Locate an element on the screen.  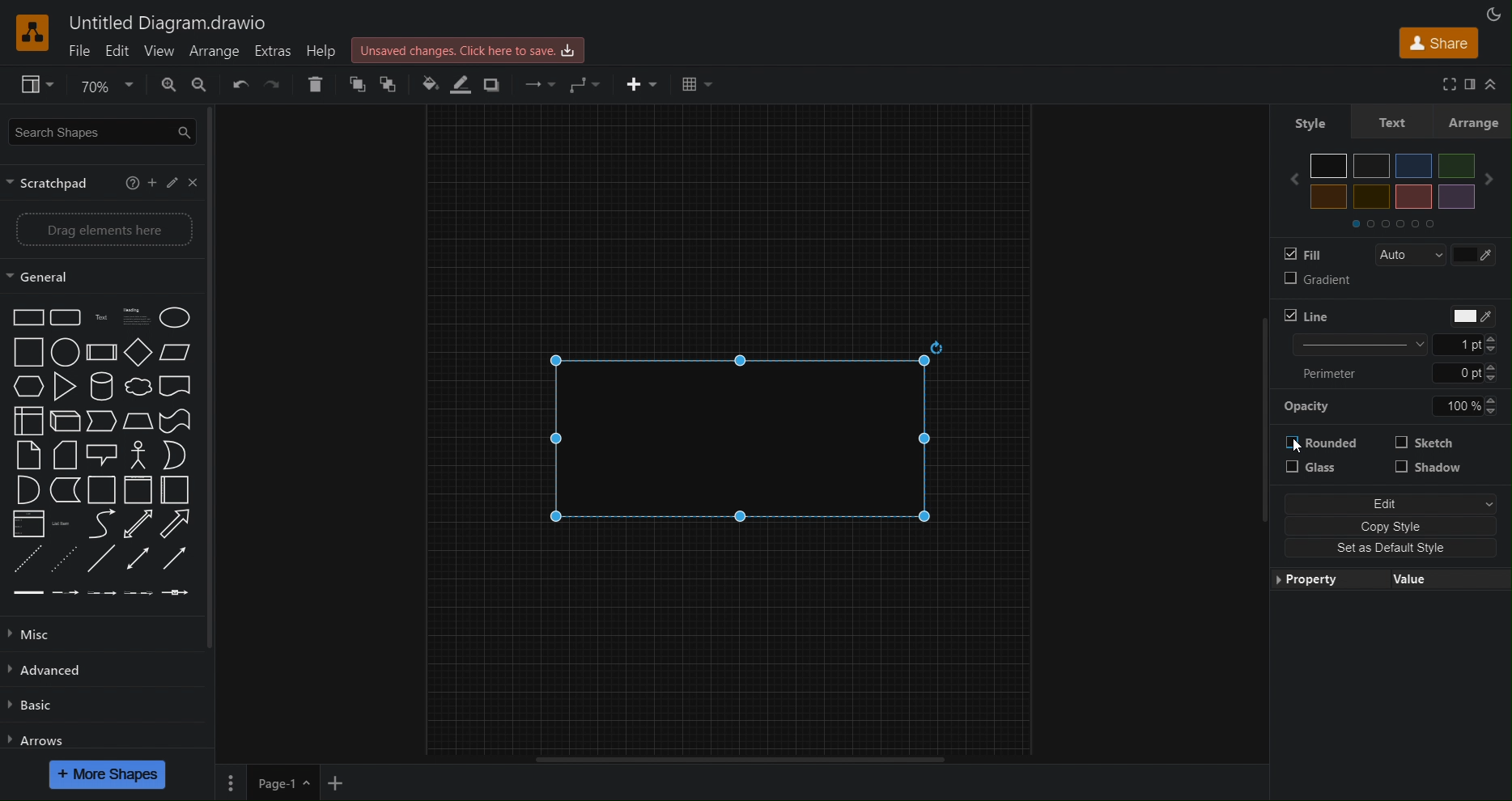
Zoom is located at coordinates (105, 83).